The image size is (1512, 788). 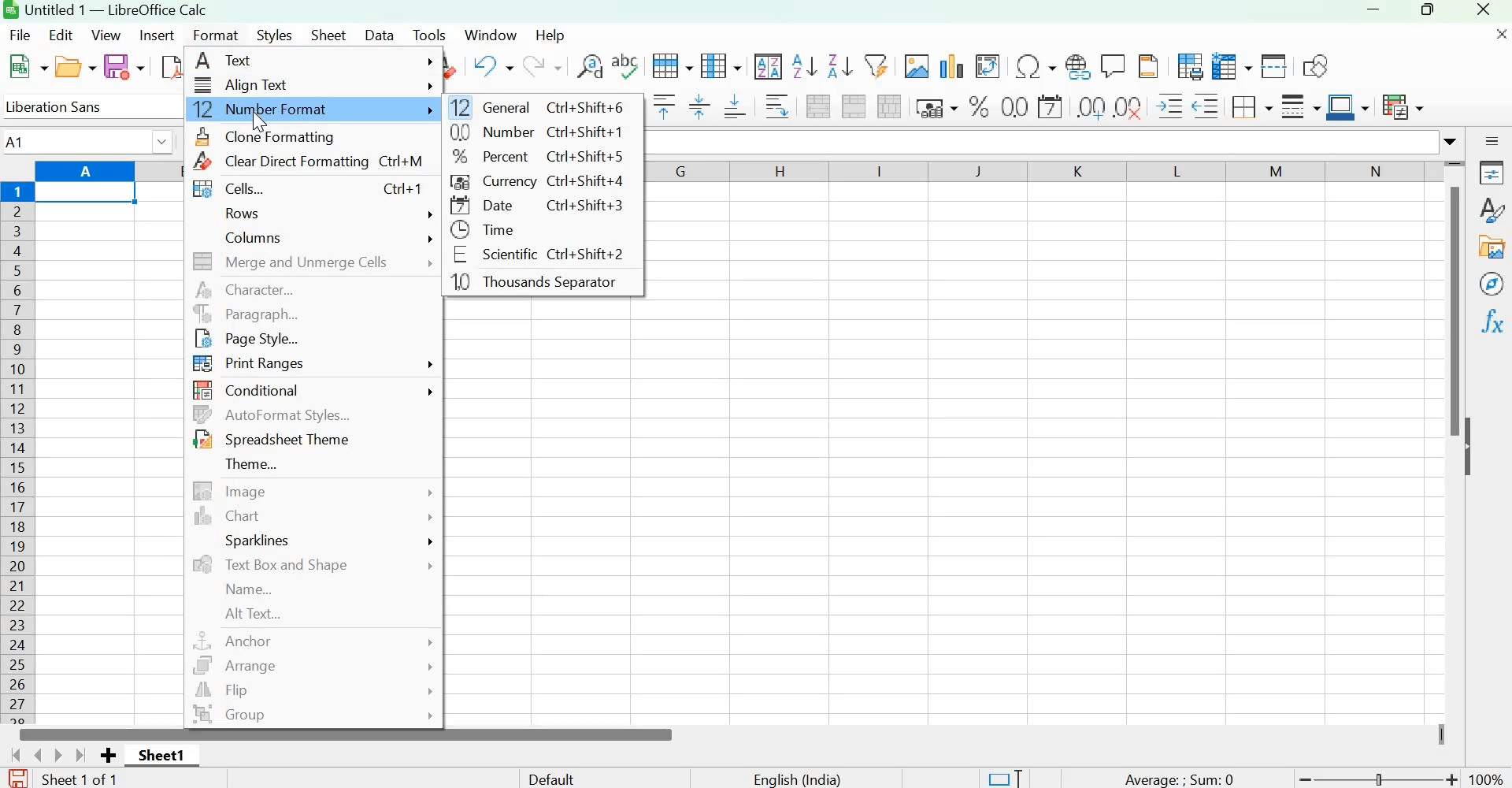 What do you see at coordinates (116, 9) in the screenshot?
I see `Untitled 1 - LibreOffice Calc` at bounding box center [116, 9].